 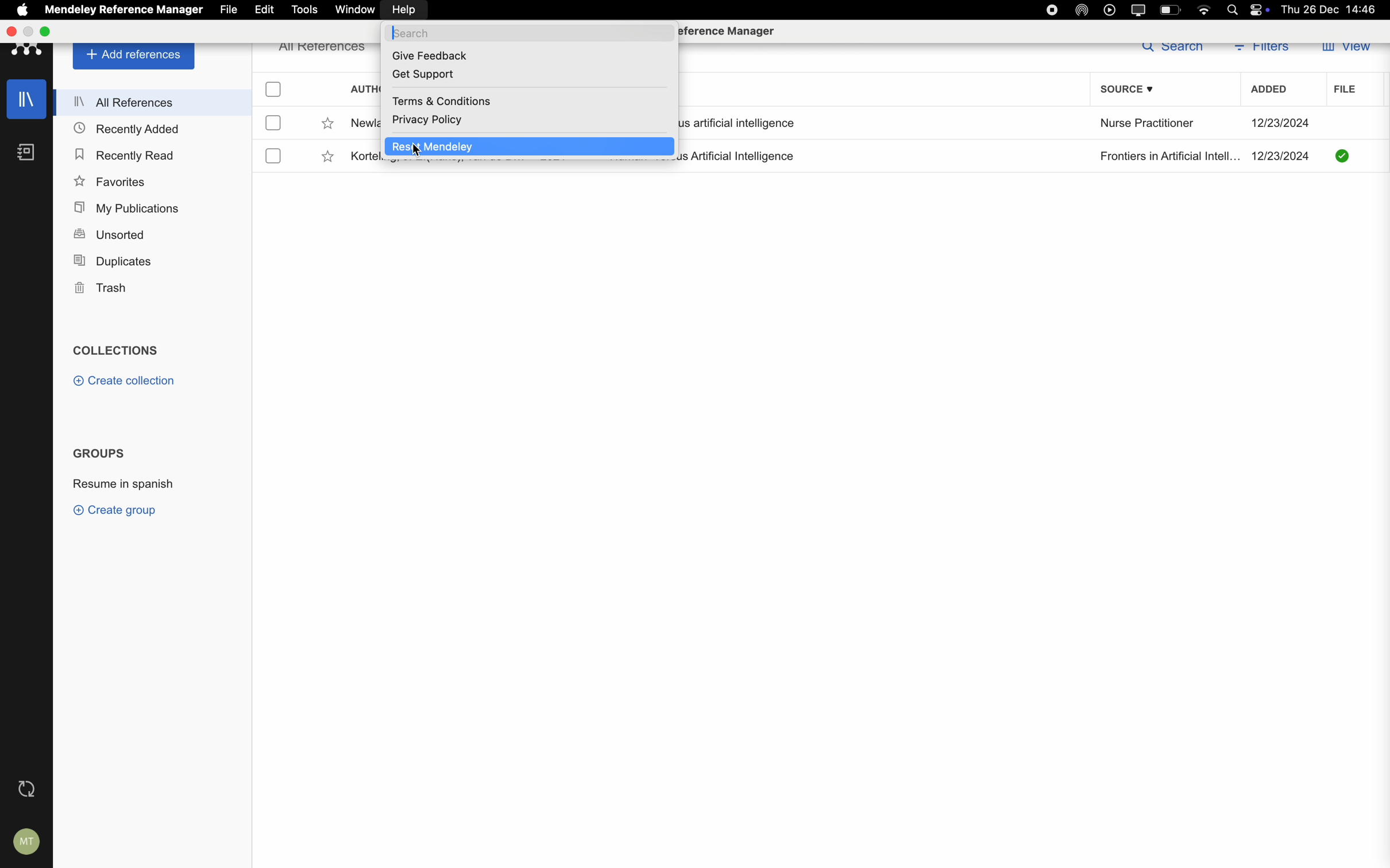 I want to click on Cursor, so click(x=419, y=149).